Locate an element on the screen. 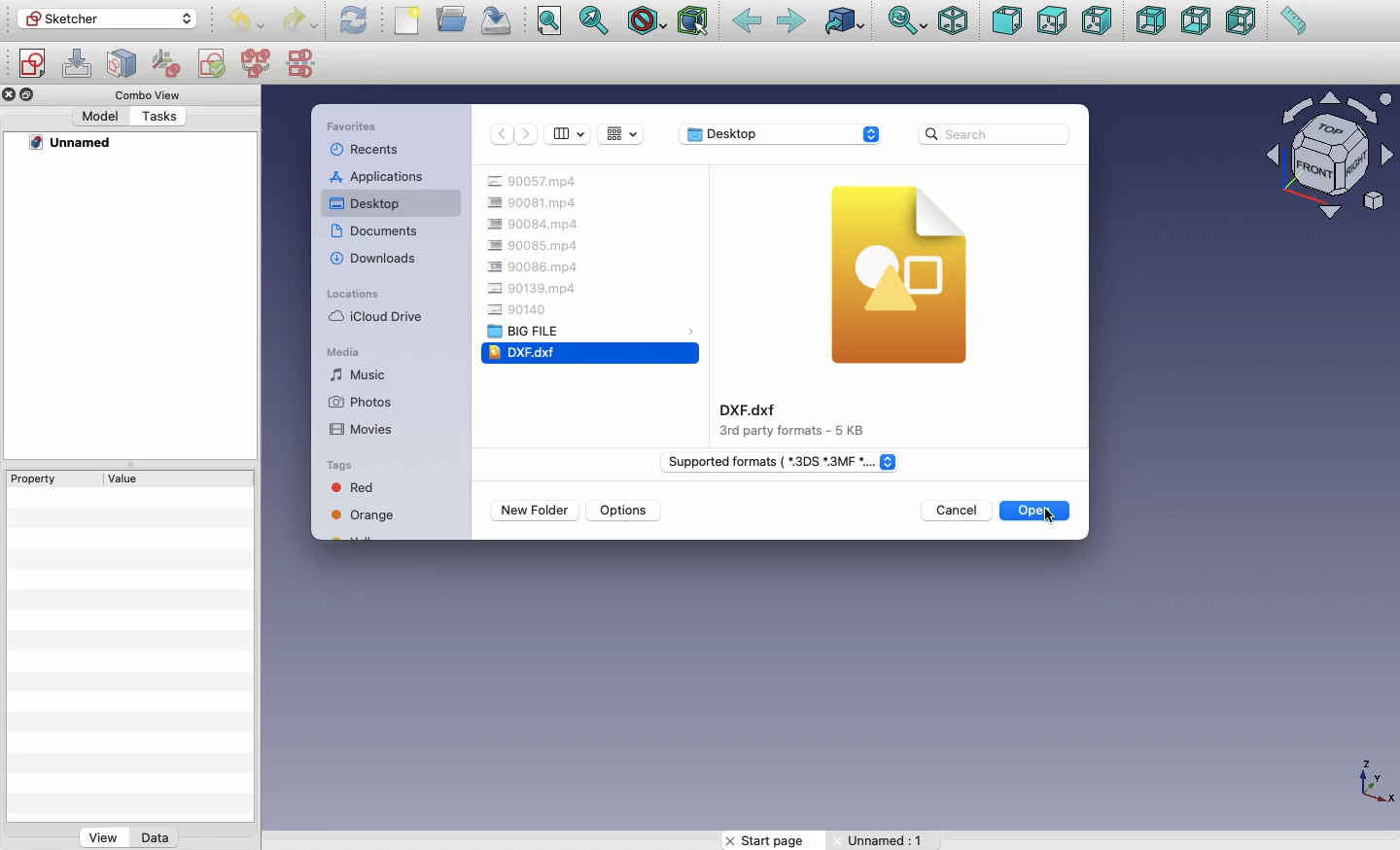  Options is located at coordinates (625, 511).